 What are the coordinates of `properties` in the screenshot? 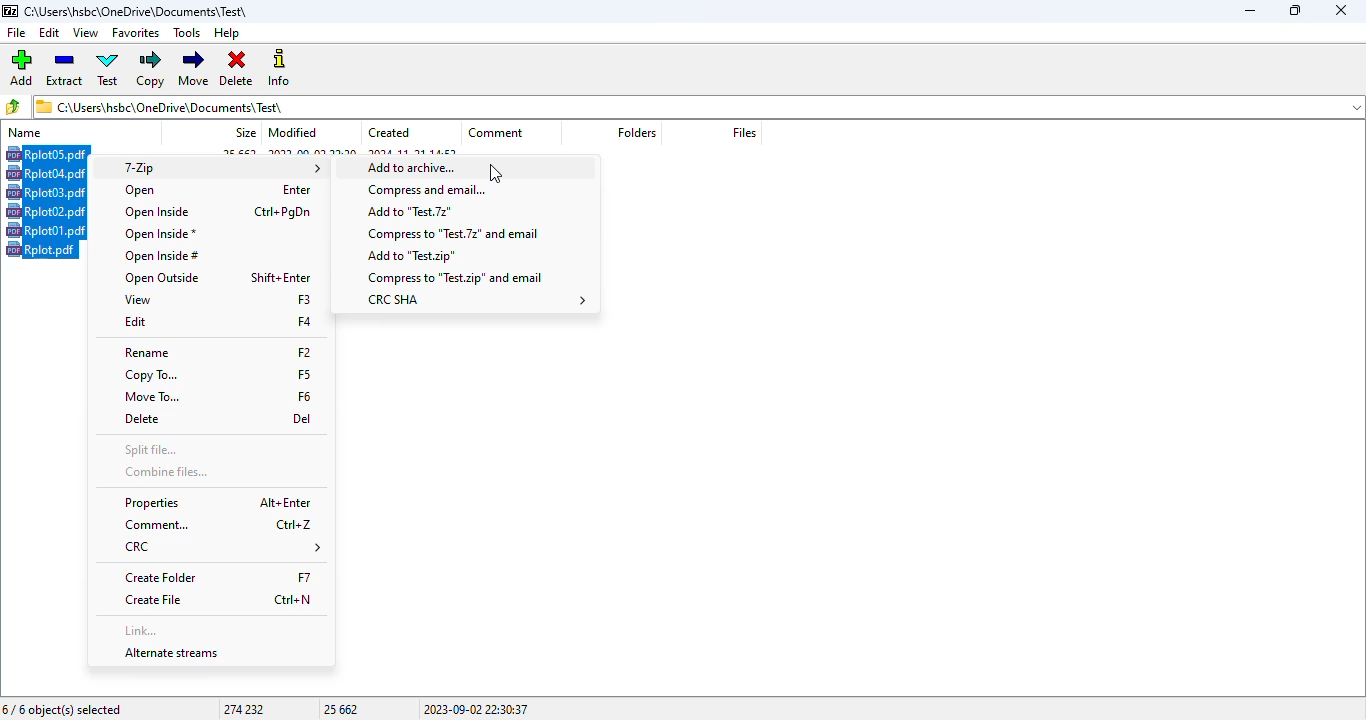 It's located at (218, 502).